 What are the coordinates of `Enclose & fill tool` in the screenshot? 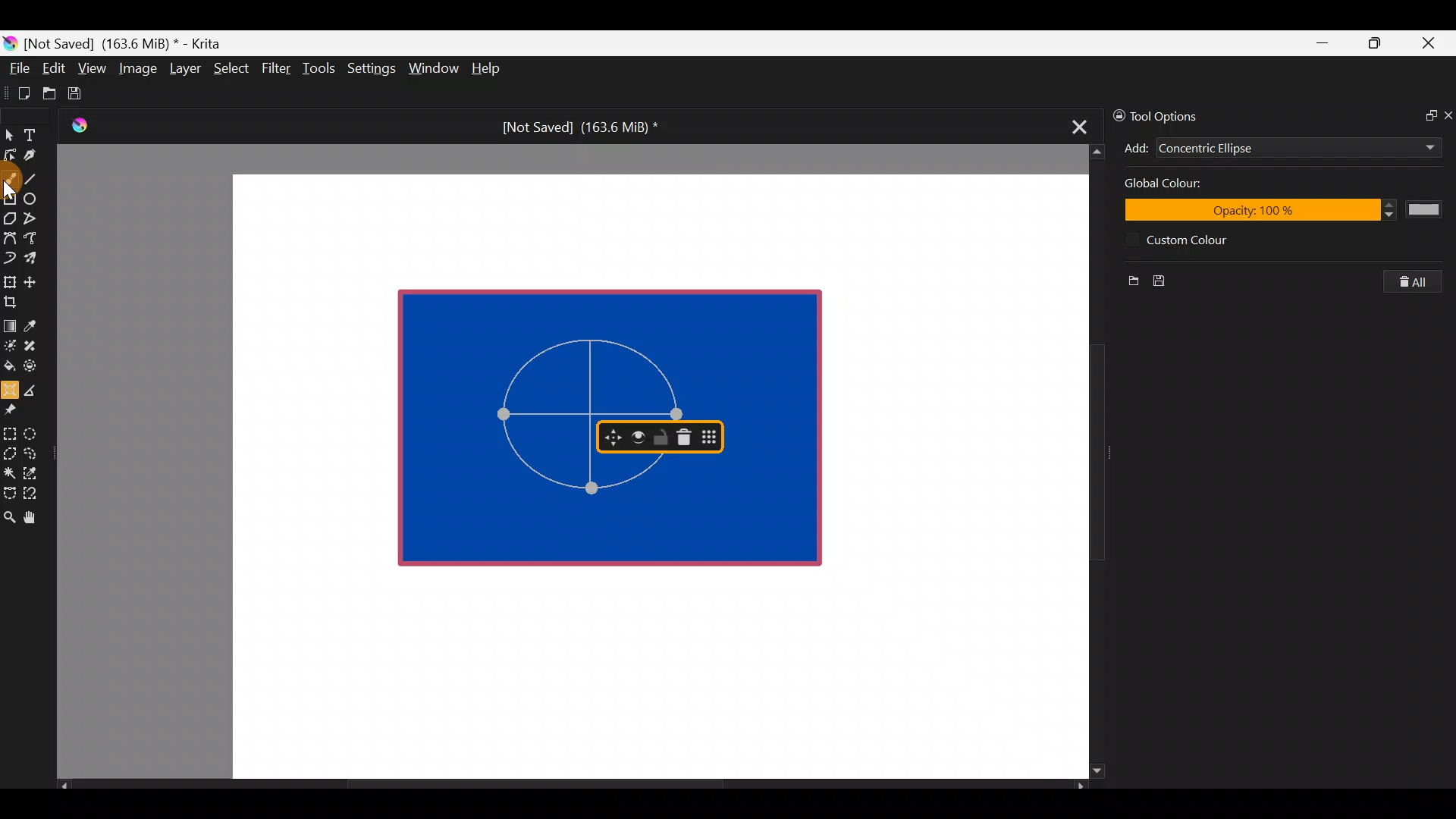 It's located at (33, 363).